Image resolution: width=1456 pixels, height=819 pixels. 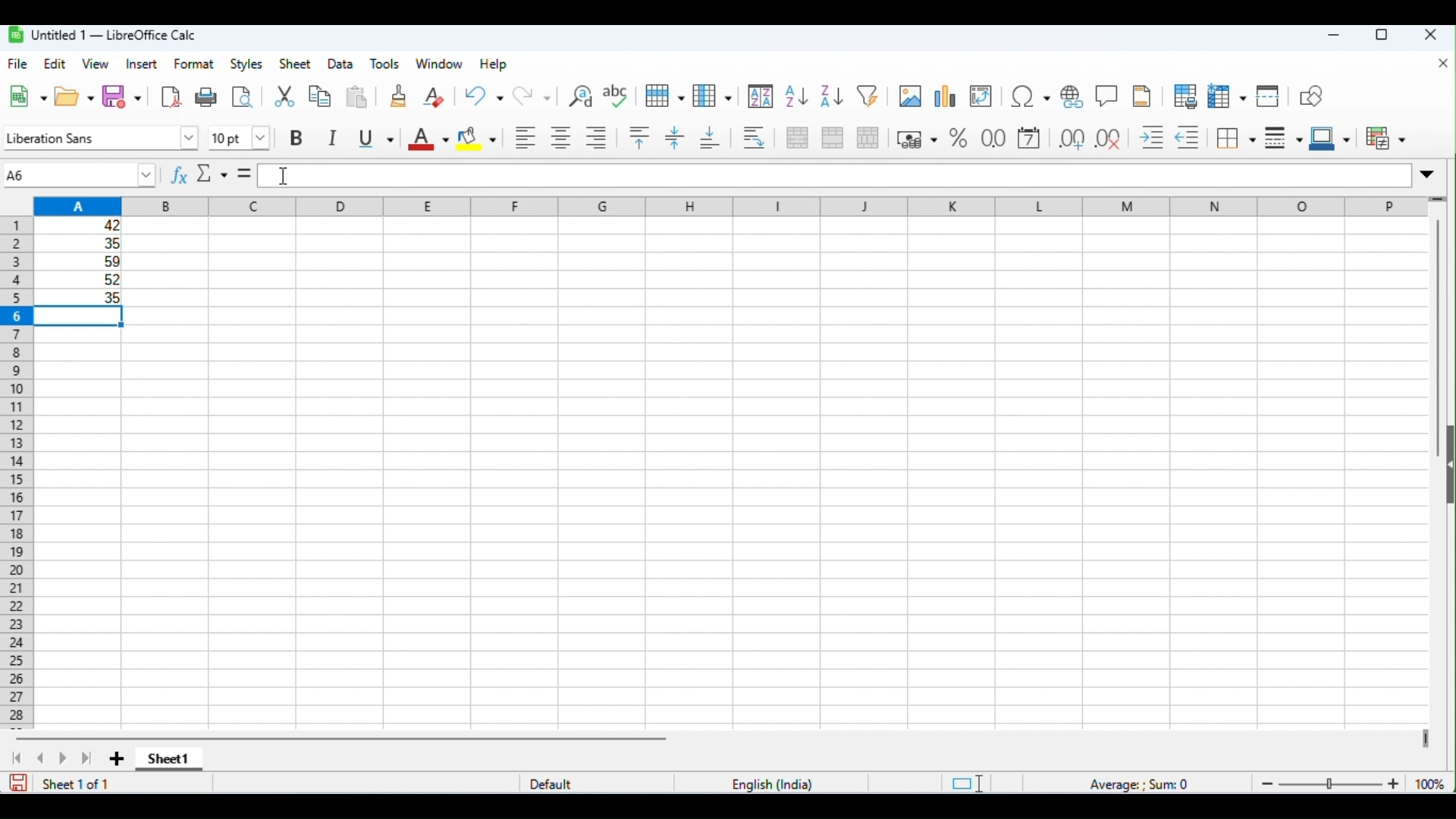 I want to click on italics, so click(x=334, y=138).